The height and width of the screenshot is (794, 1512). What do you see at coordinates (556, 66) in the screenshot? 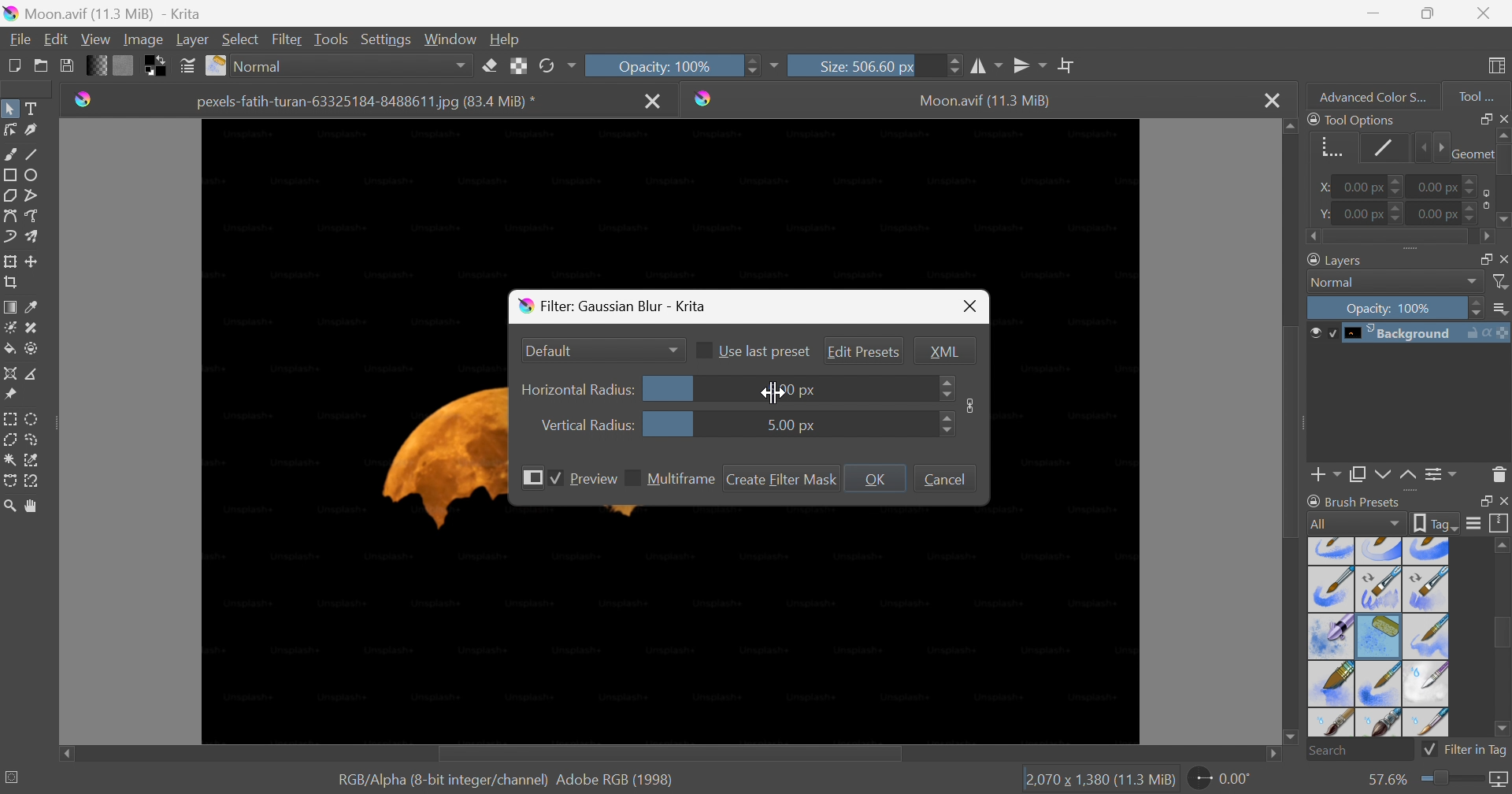
I see `Reload original preset` at bounding box center [556, 66].